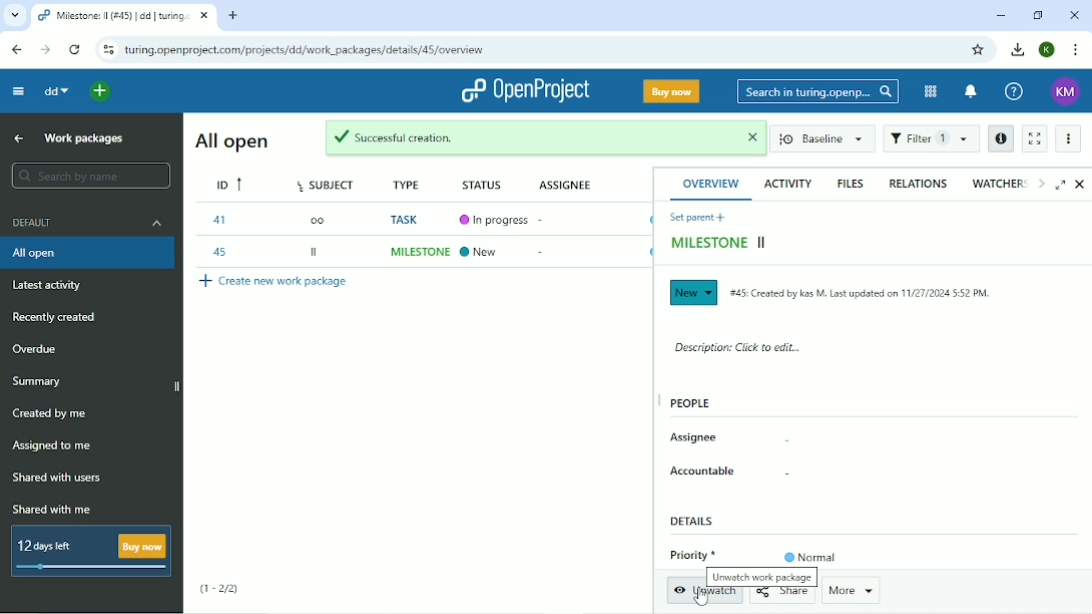 The height and width of the screenshot is (614, 1092). I want to click on cursor, so click(698, 599).